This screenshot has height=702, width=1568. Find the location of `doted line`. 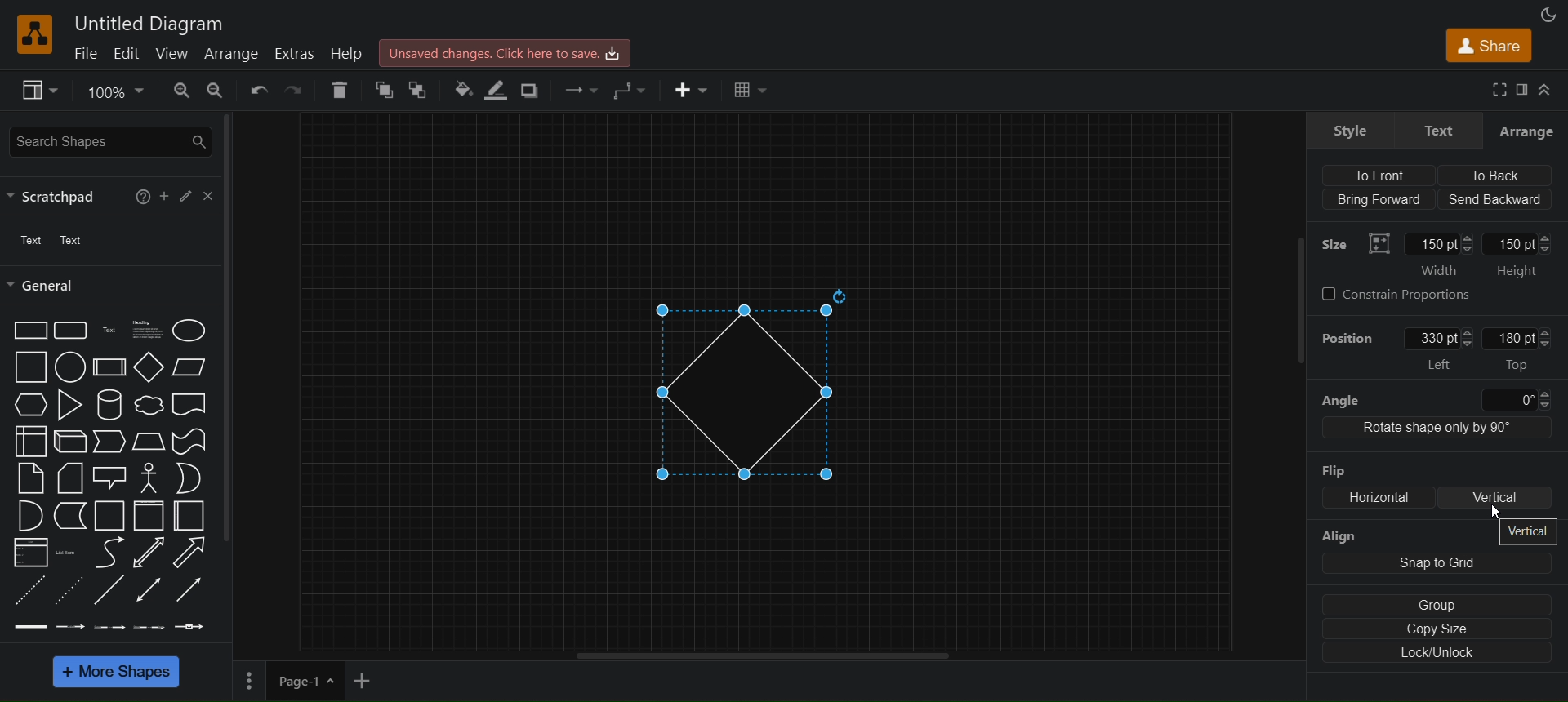

doted line is located at coordinates (70, 589).